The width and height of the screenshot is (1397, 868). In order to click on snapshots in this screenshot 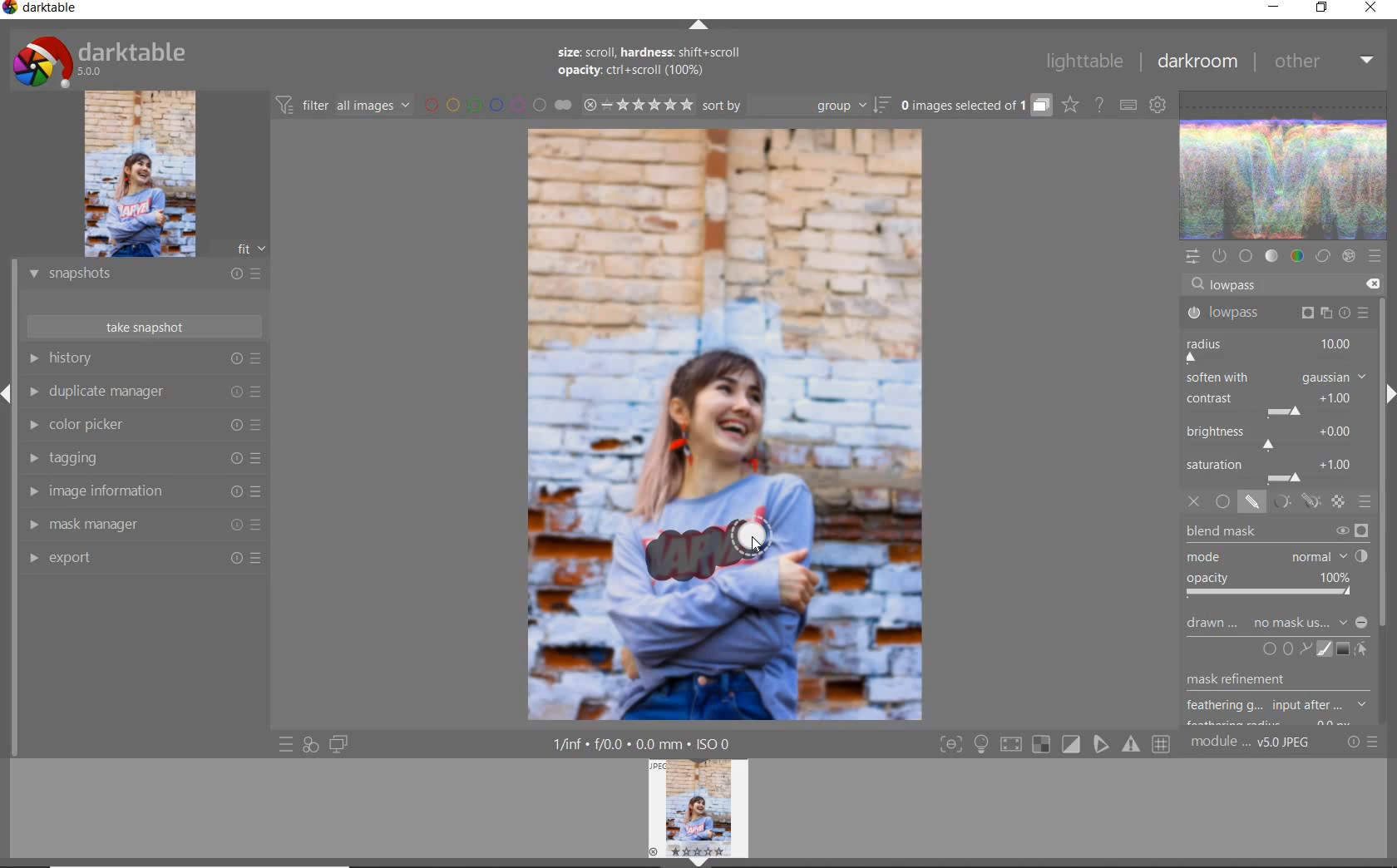, I will do `click(144, 277)`.